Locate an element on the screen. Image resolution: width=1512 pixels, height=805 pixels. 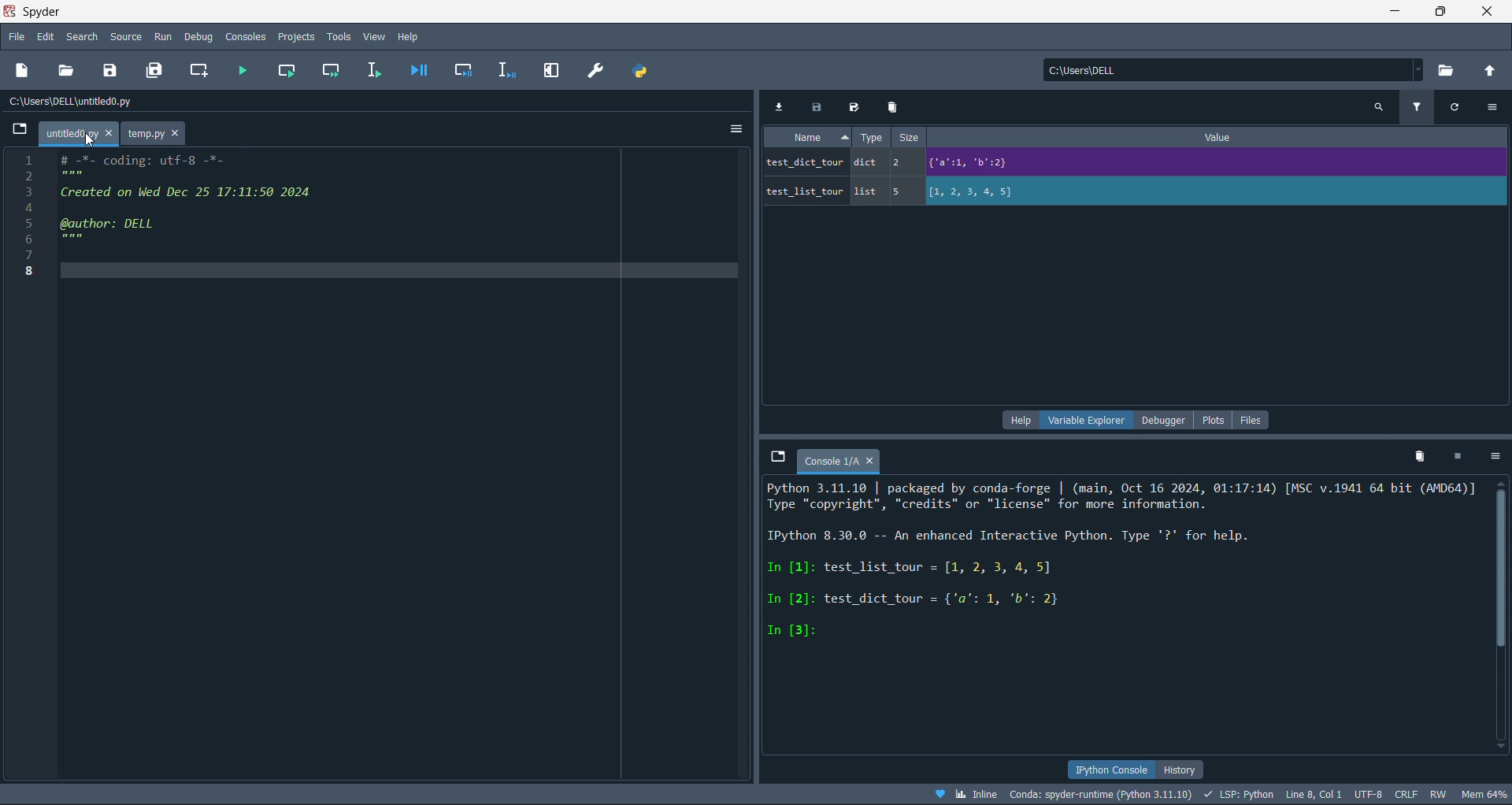
import data is located at coordinates (778, 103).